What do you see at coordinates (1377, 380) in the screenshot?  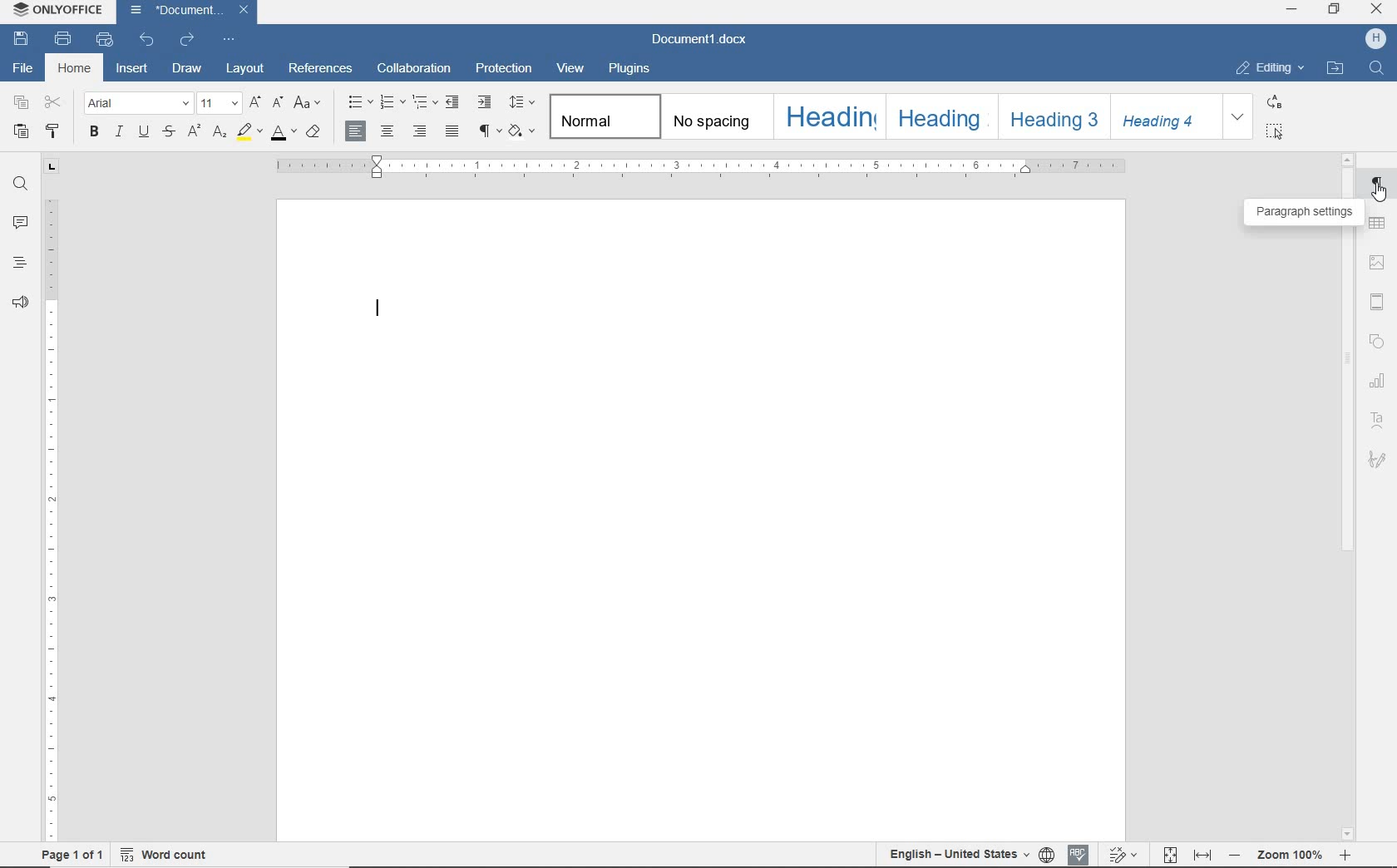 I see `chart` at bounding box center [1377, 380].